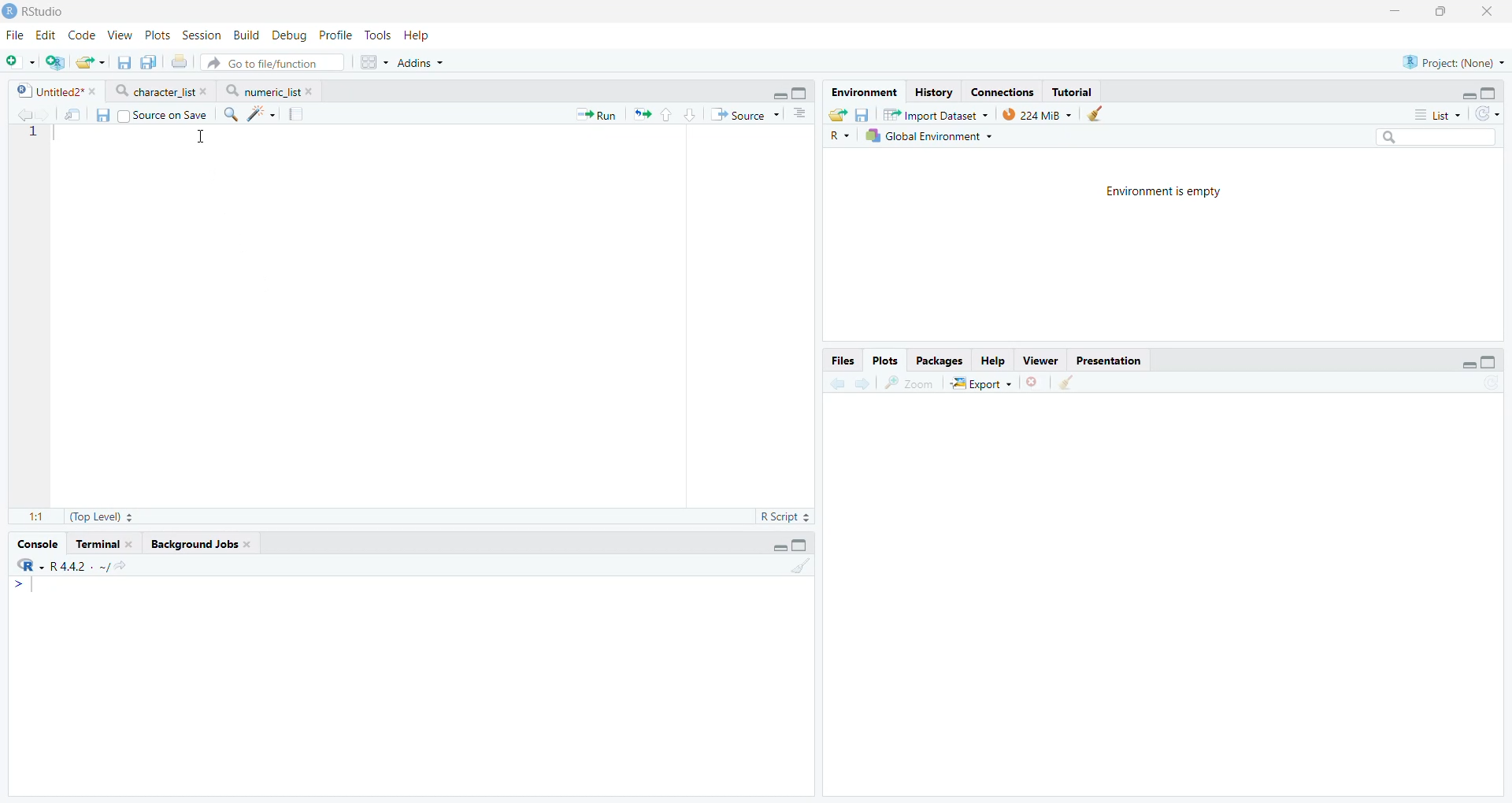  I want to click on 1:1, so click(35, 516).